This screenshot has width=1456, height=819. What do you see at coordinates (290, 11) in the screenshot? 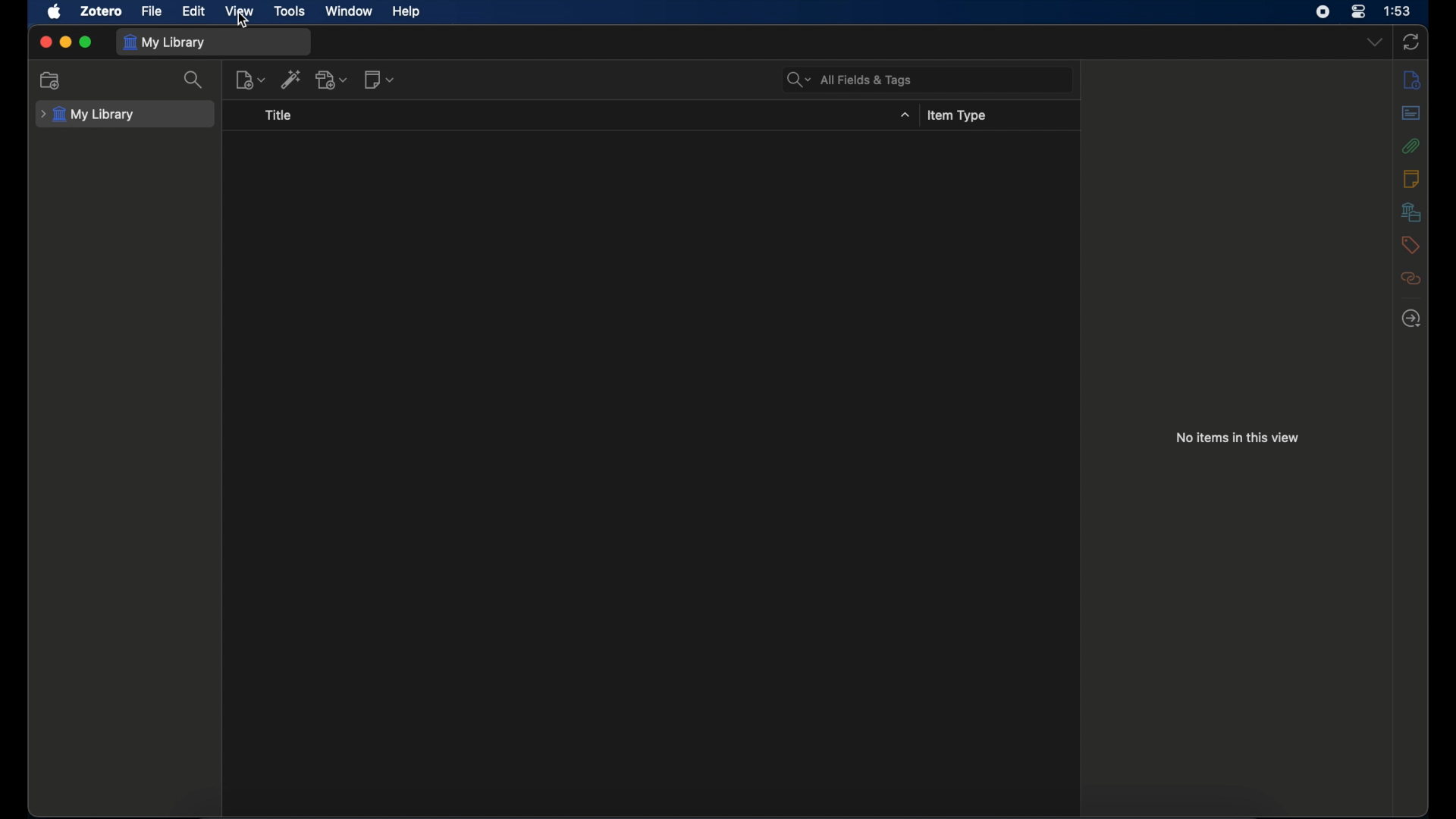
I see `tools` at bounding box center [290, 11].